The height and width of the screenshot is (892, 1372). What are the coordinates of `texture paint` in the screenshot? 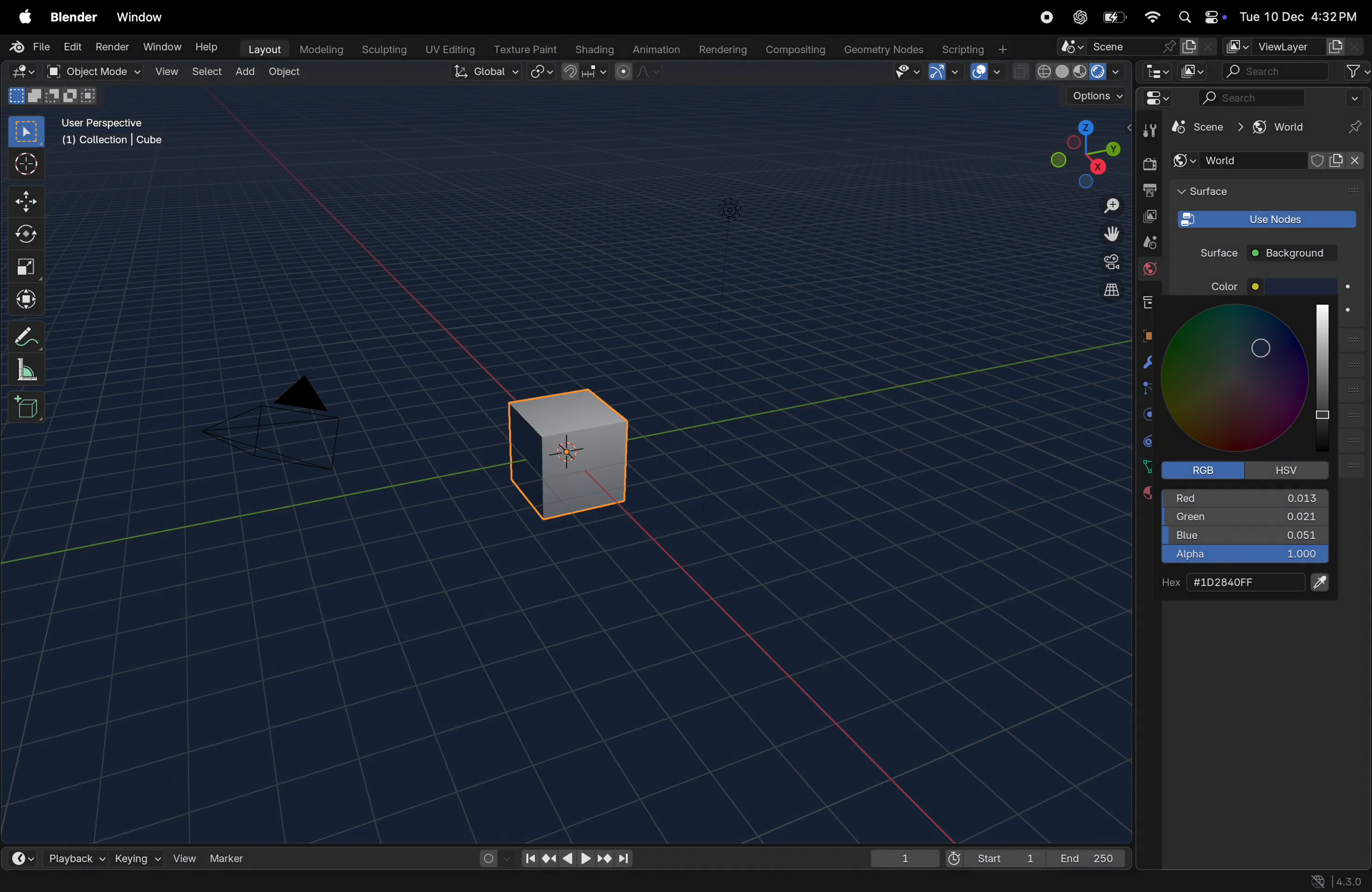 It's located at (522, 48).